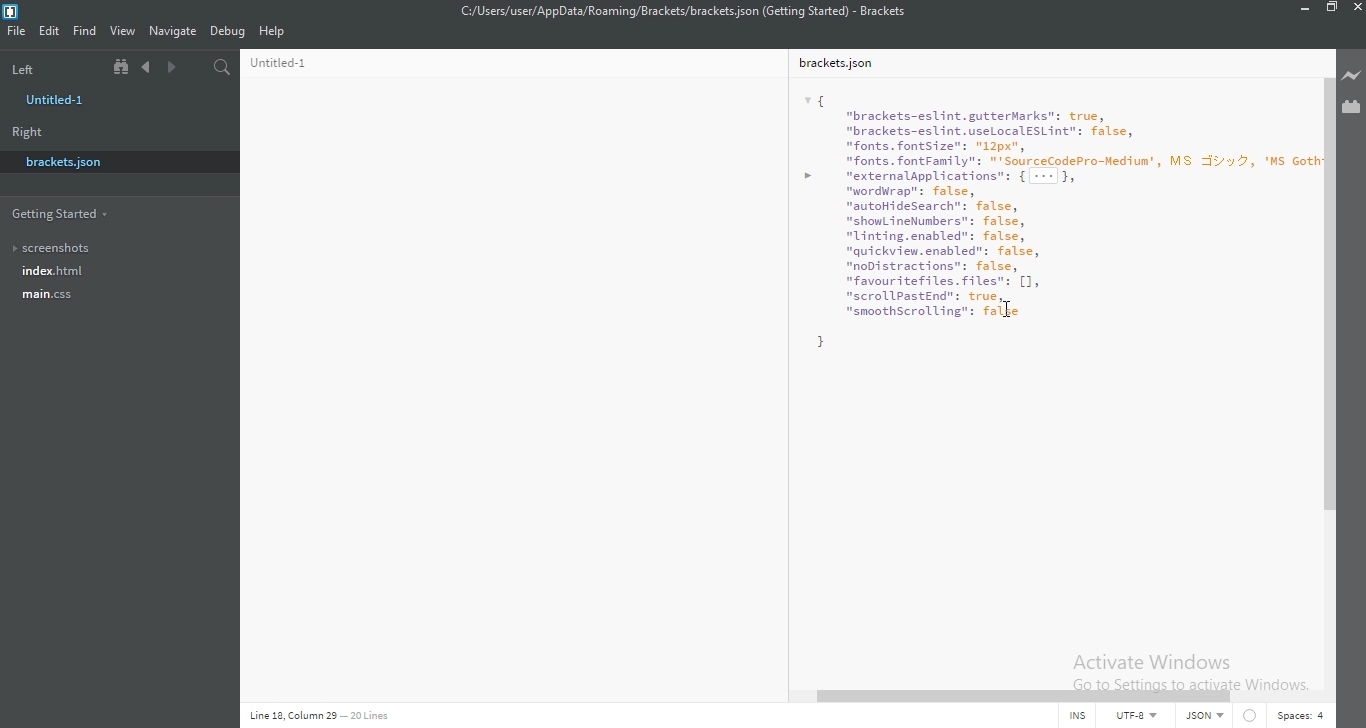 This screenshot has height=728, width=1366. Describe the element at coordinates (1353, 71) in the screenshot. I see `Live preview` at that location.